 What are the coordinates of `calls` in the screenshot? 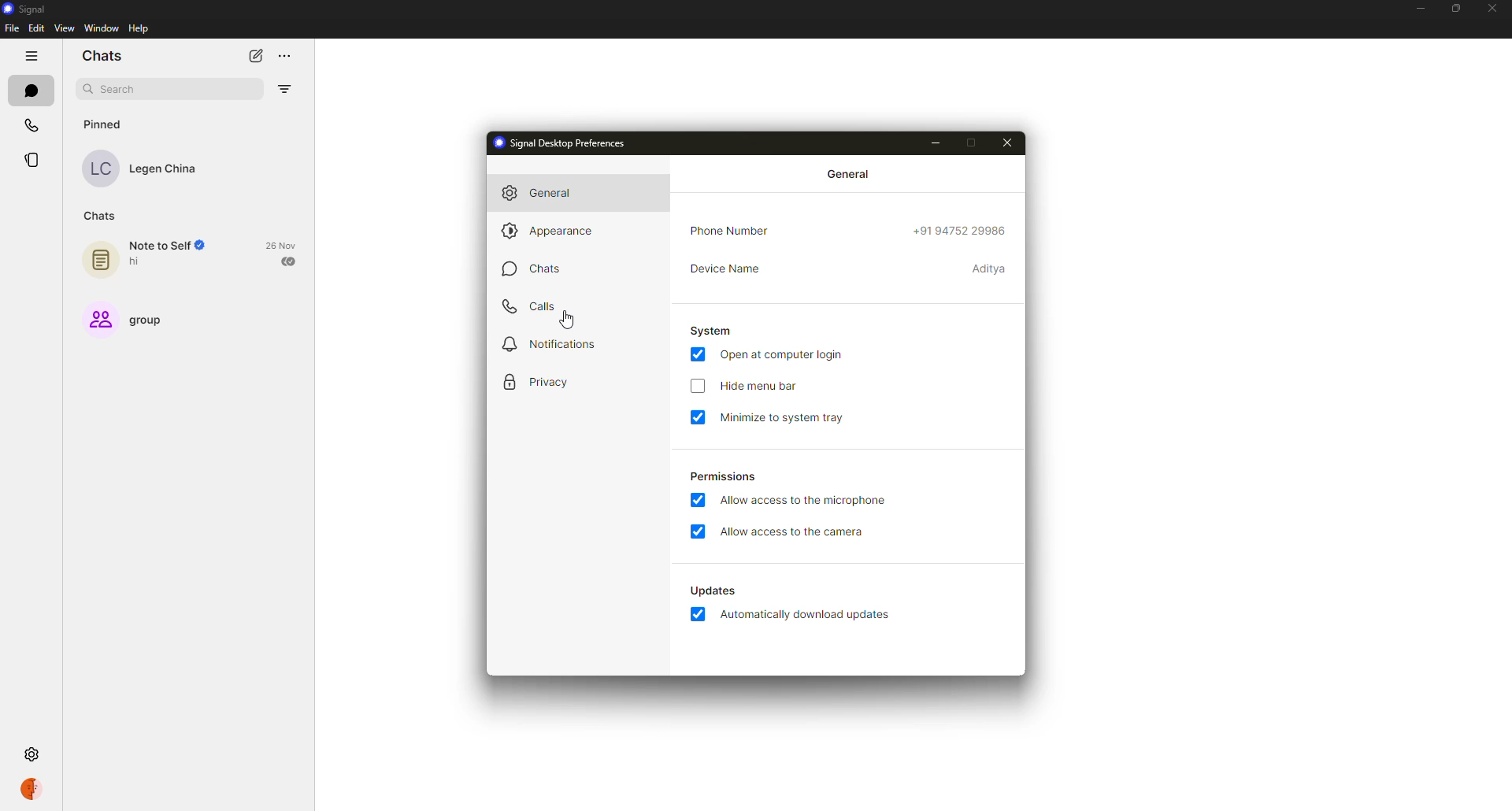 It's located at (31, 121).